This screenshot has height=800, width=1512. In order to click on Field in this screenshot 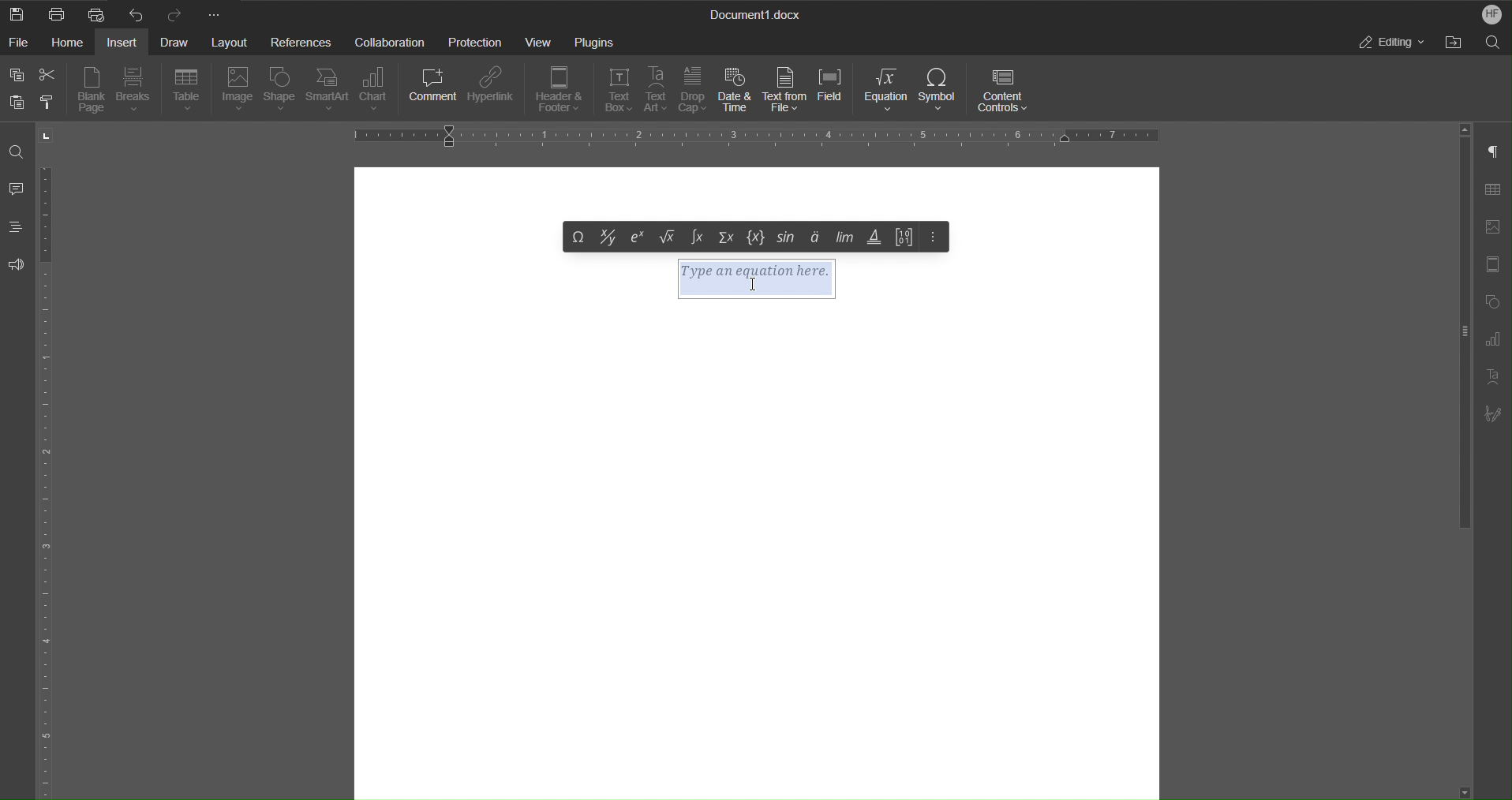, I will do `click(833, 92)`.